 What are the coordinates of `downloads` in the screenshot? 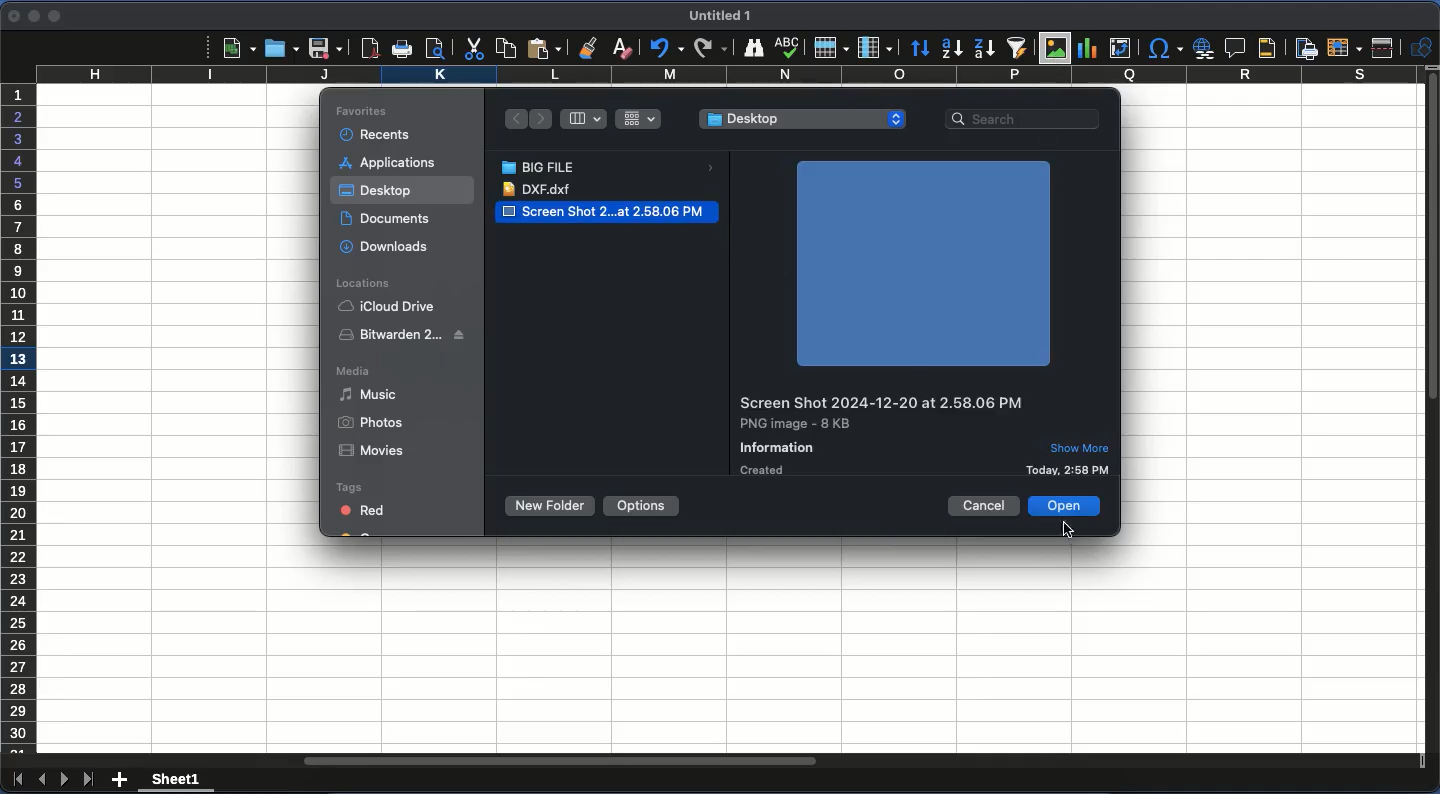 It's located at (389, 246).